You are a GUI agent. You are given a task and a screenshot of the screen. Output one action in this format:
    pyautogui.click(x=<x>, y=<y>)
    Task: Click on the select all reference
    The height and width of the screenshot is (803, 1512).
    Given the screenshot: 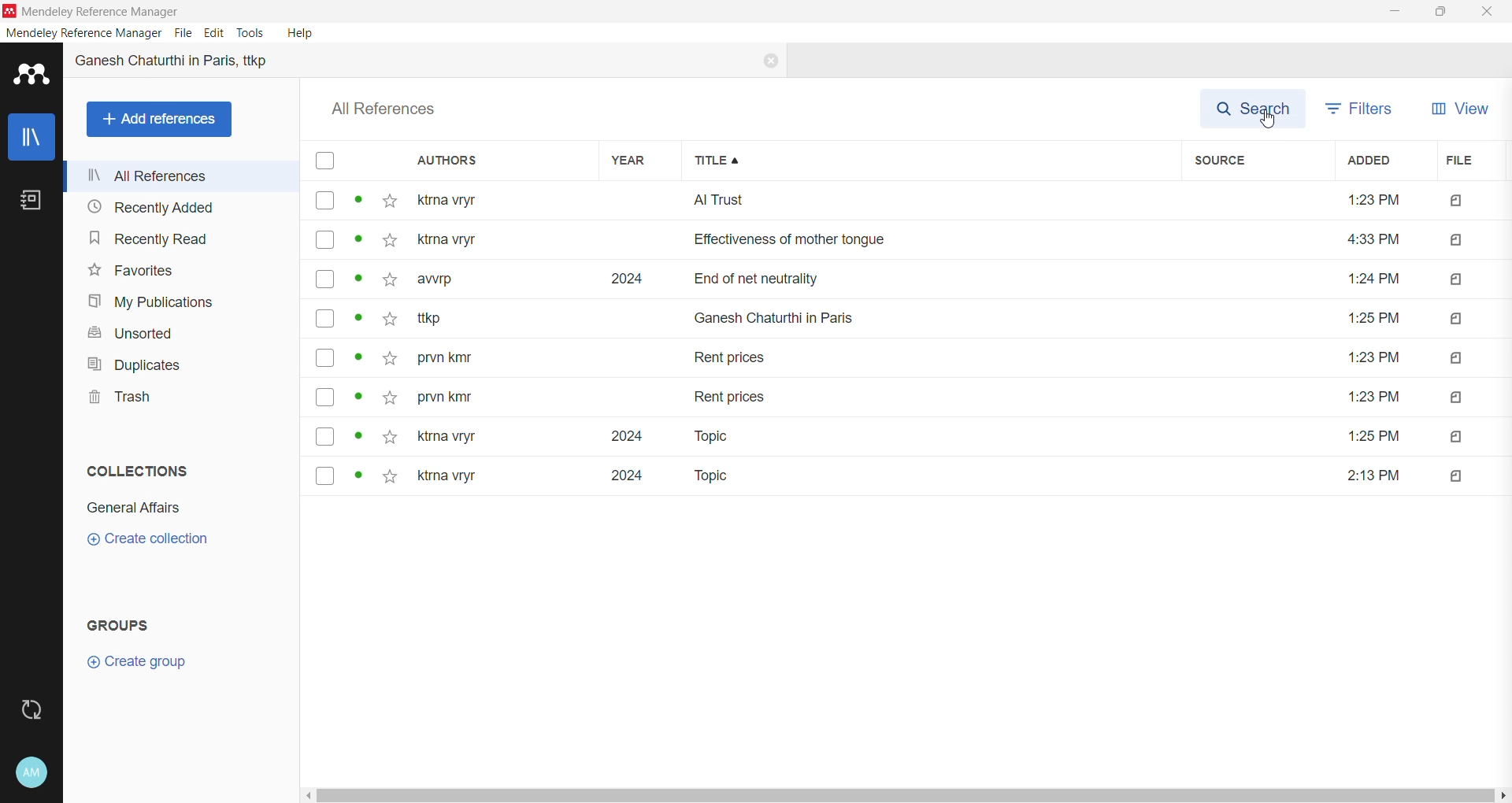 What is the action you would take?
    pyautogui.click(x=331, y=160)
    